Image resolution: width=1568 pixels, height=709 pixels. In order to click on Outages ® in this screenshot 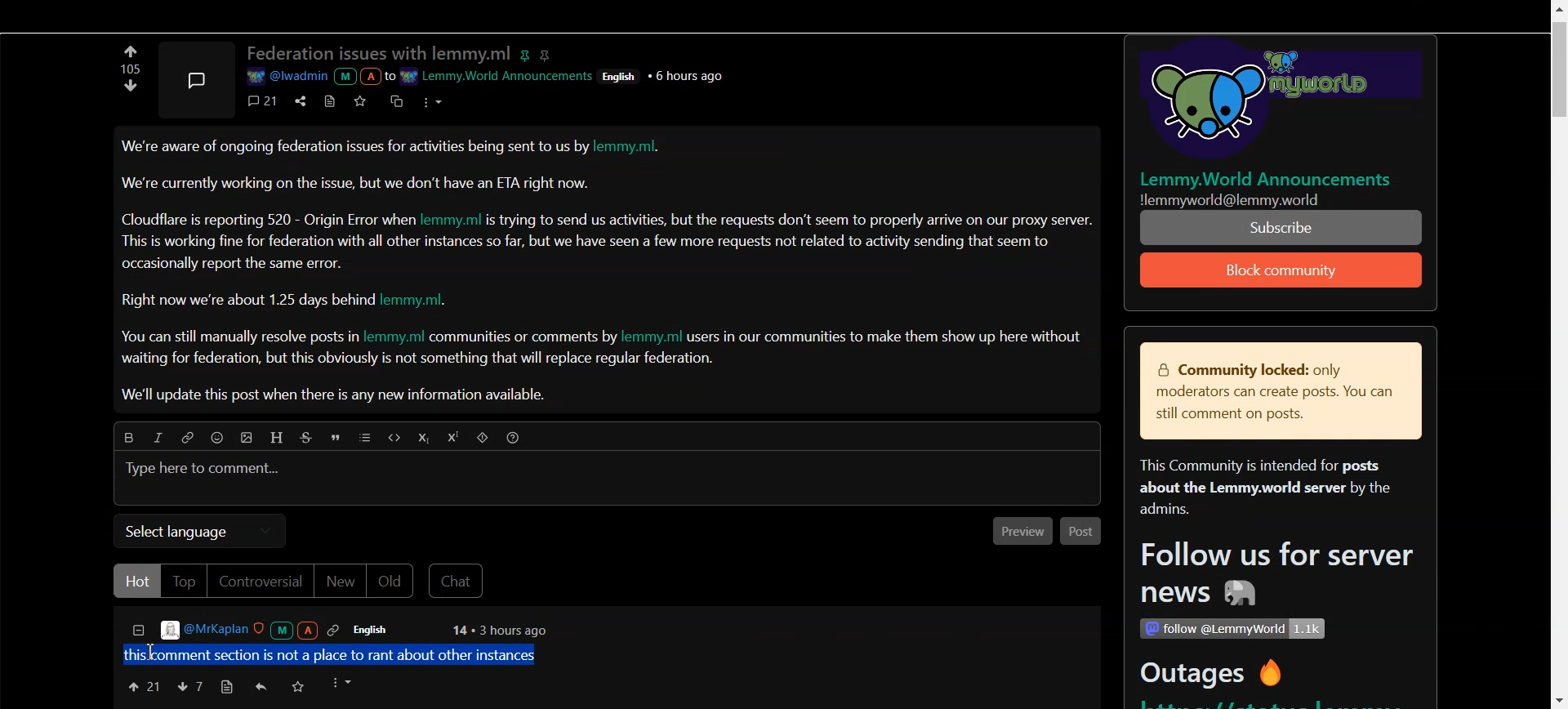, I will do `click(1213, 676)`.